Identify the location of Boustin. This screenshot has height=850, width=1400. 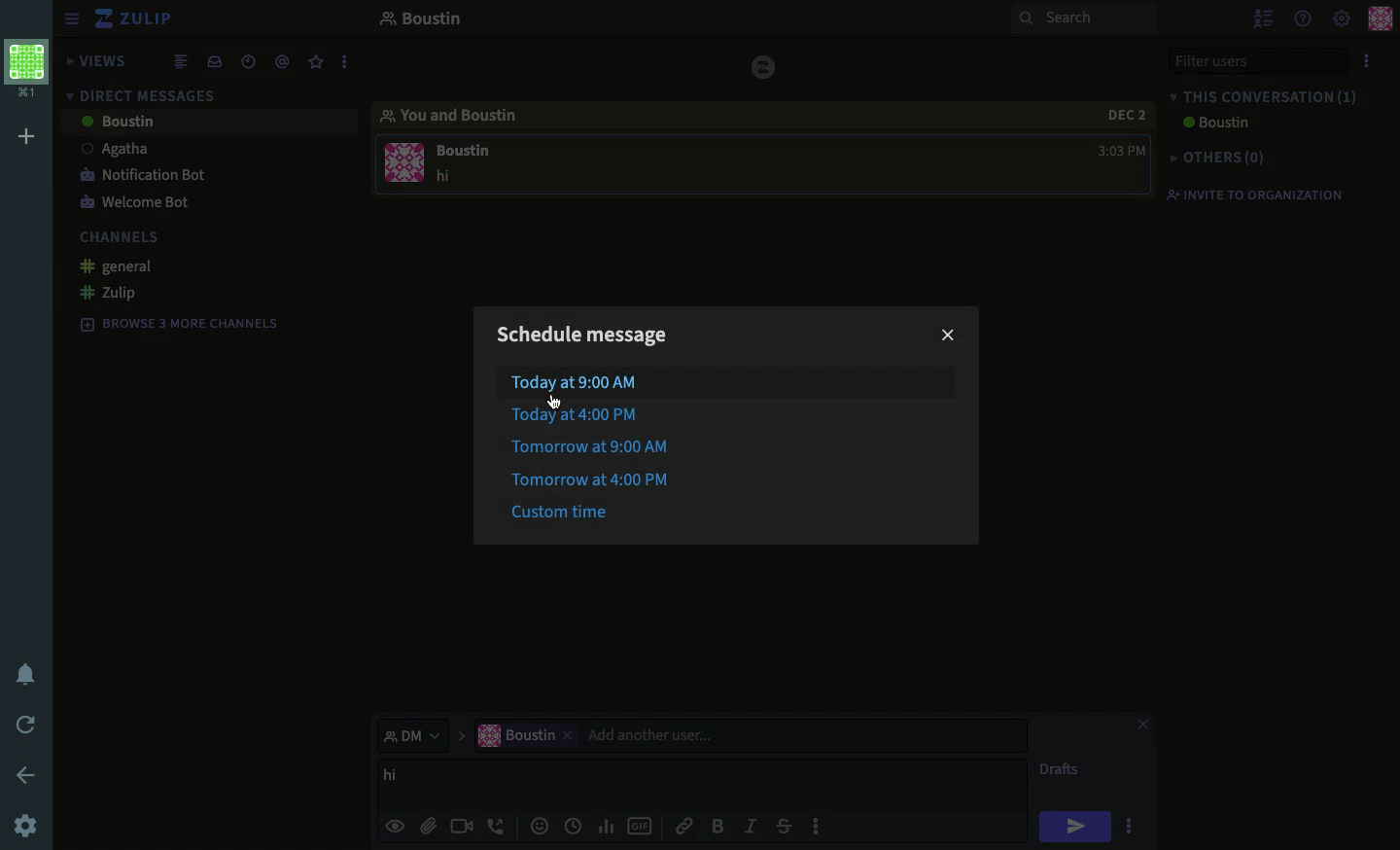
(1220, 123).